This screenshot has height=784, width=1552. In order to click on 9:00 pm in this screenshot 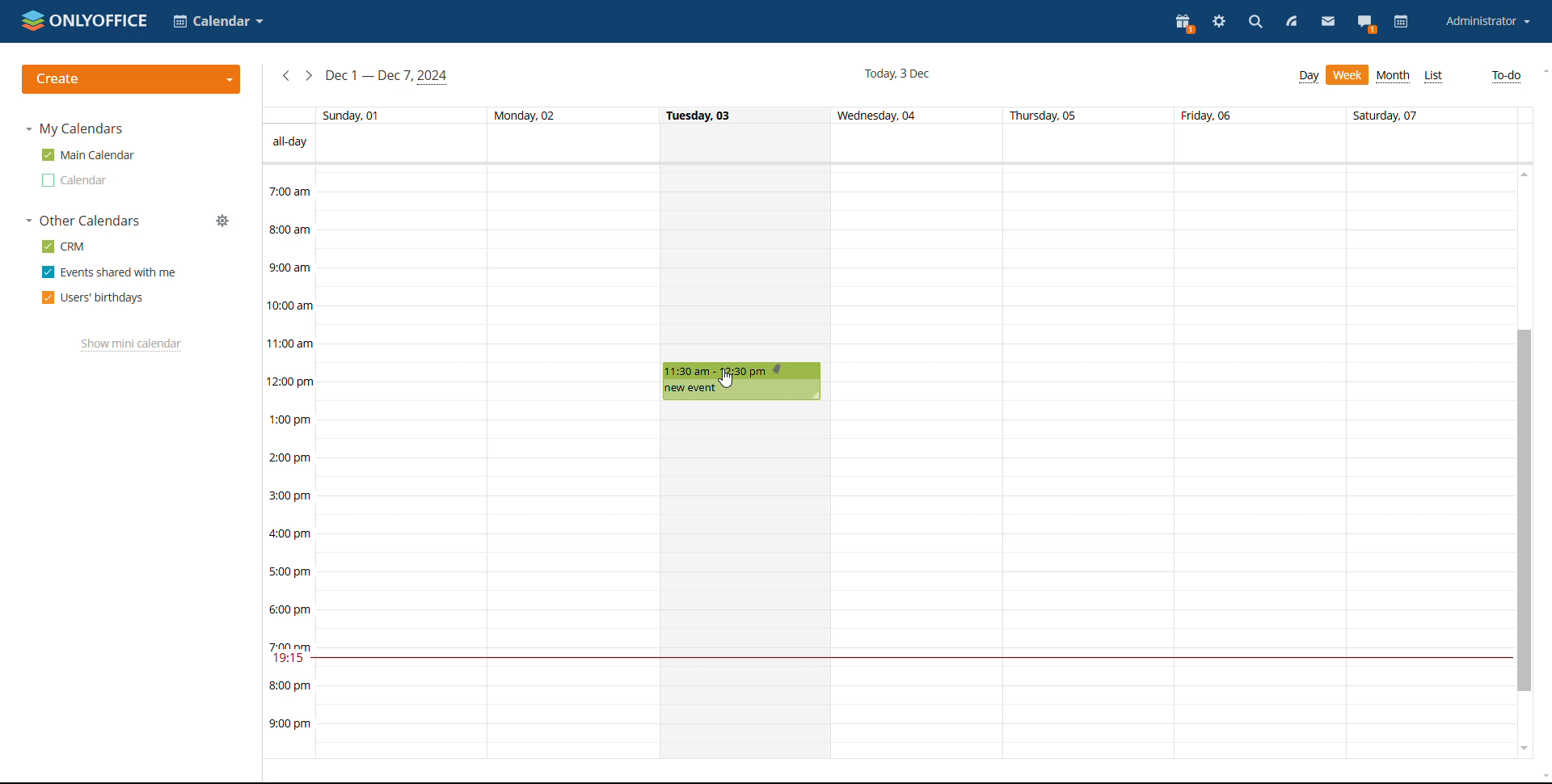, I will do `click(290, 725)`.